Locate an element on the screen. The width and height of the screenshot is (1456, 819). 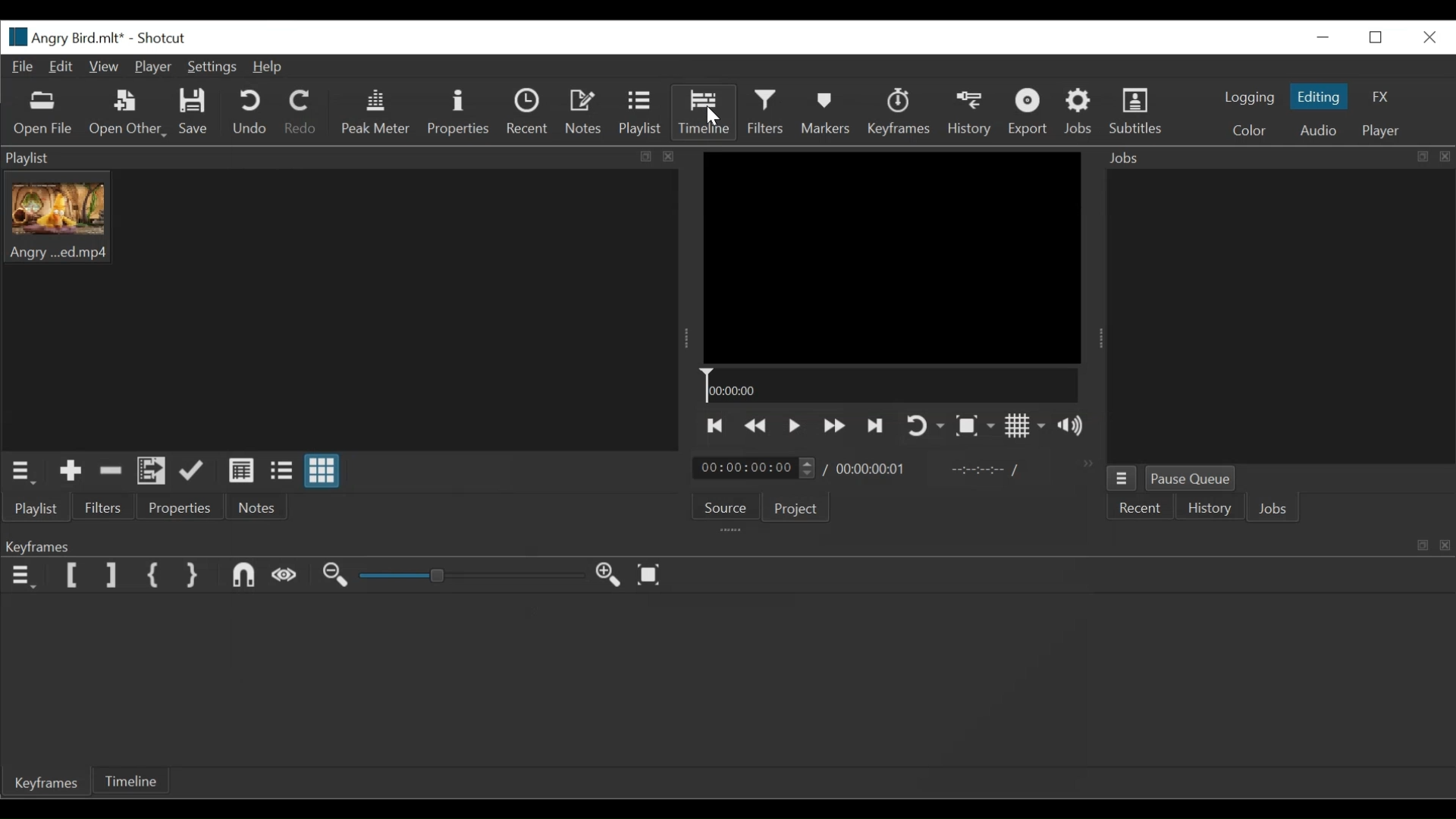
Set Second Filter Keyframe is located at coordinates (193, 576).